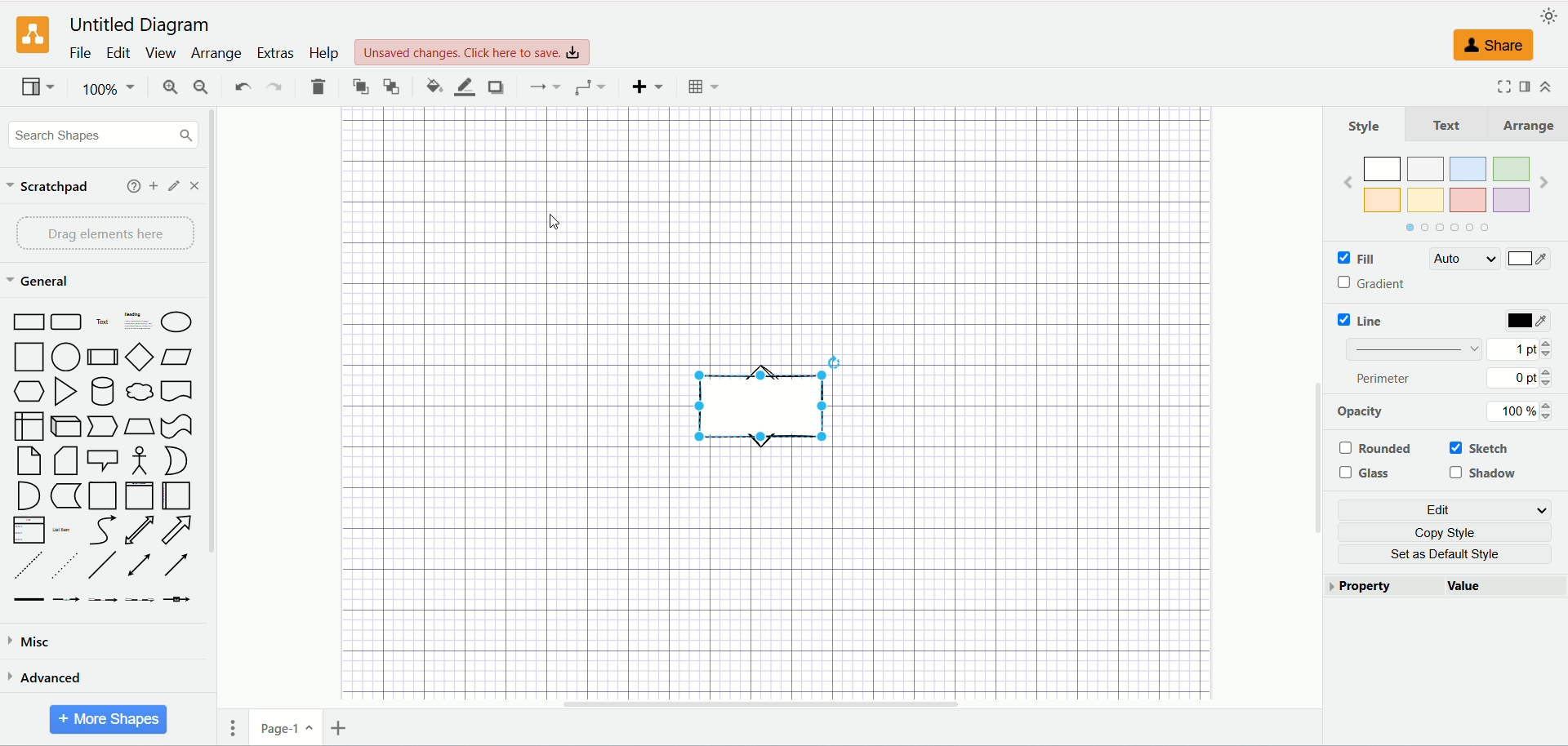 The image size is (1568, 746). What do you see at coordinates (392, 85) in the screenshot?
I see `to back` at bounding box center [392, 85].